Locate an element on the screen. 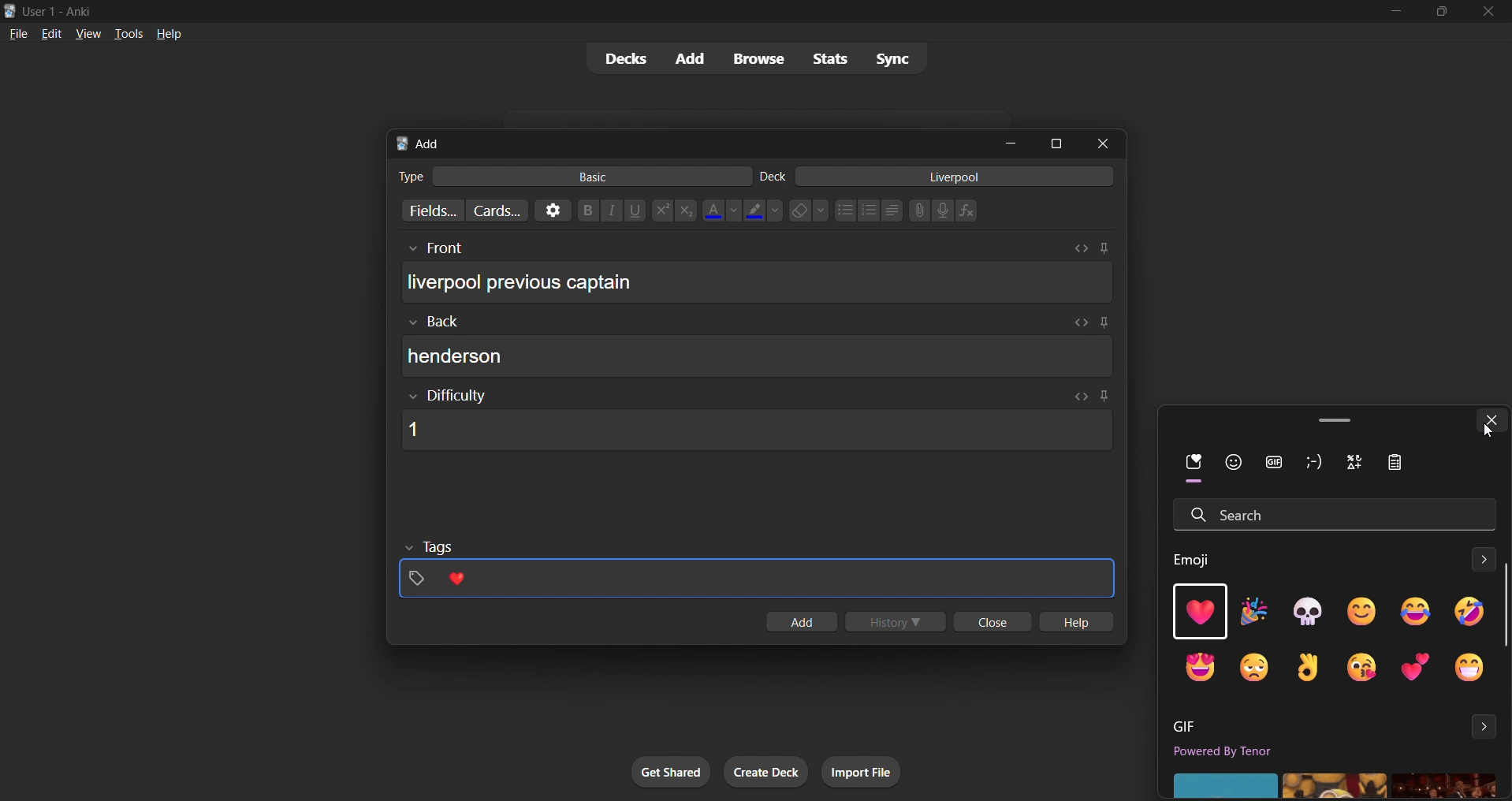 This screenshot has height=801, width=1512. link is located at coordinates (918, 212).